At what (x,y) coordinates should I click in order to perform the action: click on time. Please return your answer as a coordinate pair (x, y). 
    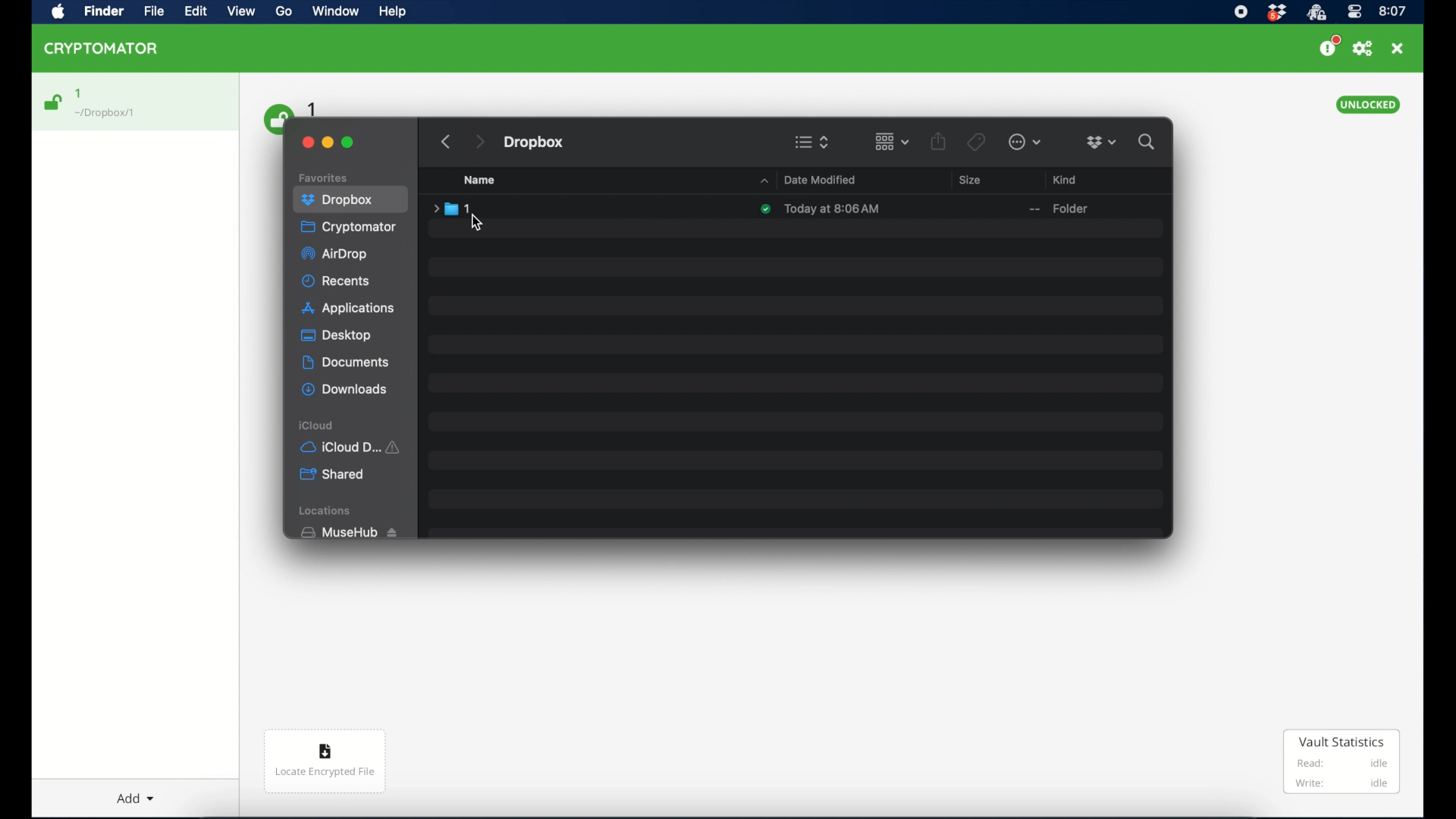
    Looking at the image, I should click on (1393, 11).